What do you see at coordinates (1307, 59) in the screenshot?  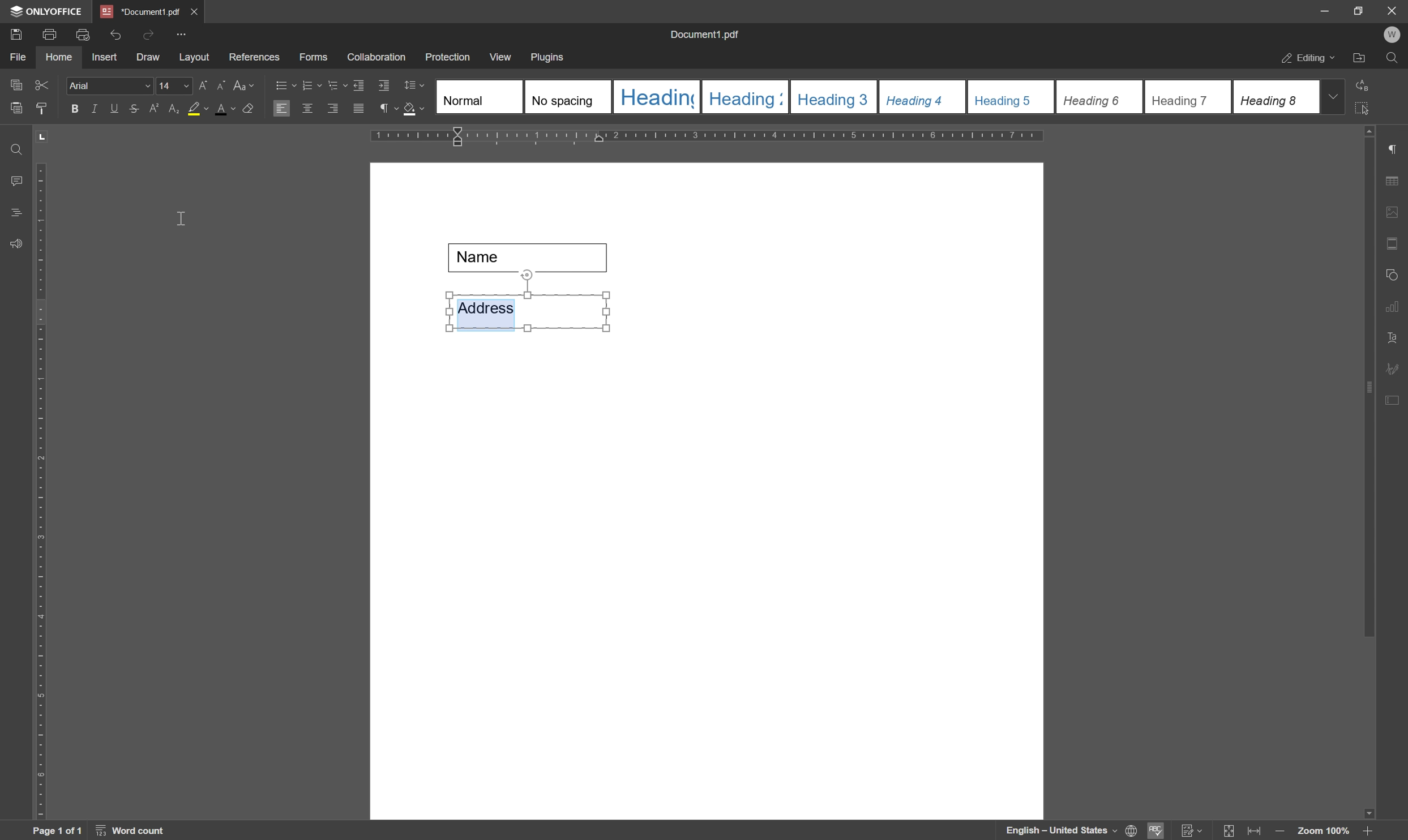 I see `editing` at bounding box center [1307, 59].